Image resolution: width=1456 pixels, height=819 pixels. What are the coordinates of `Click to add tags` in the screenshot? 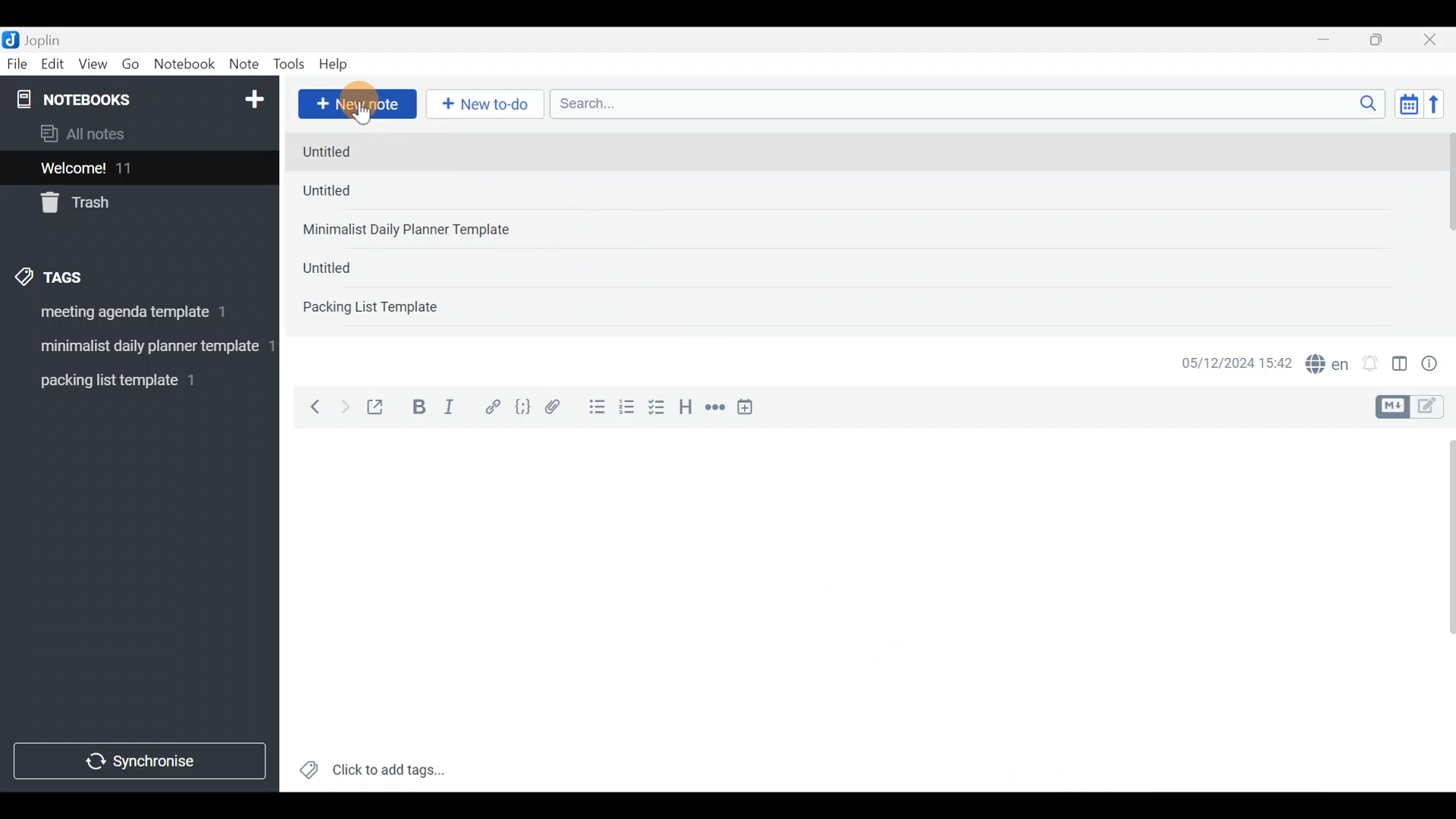 It's located at (372, 775).